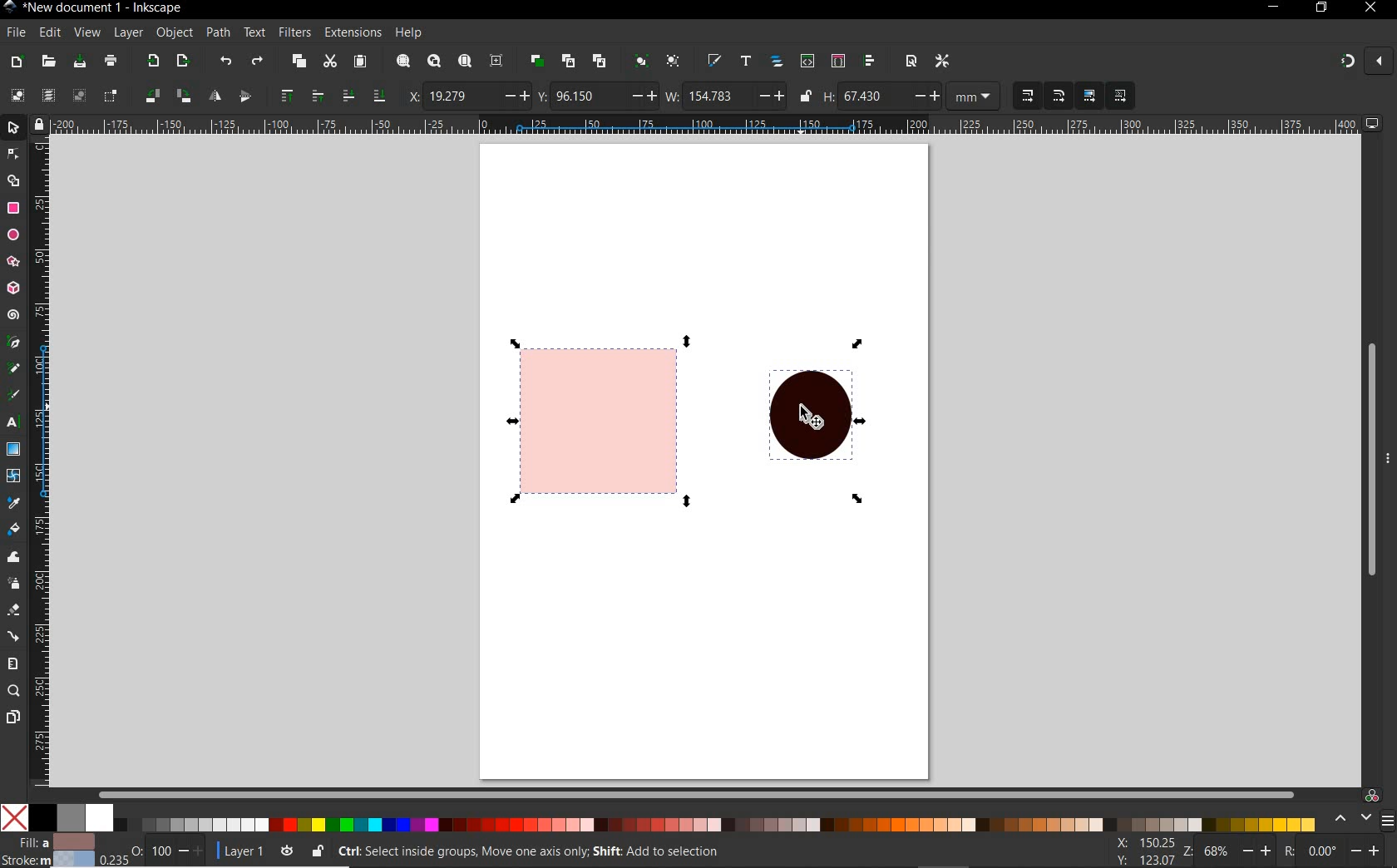 Image resolution: width=1397 pixels, height=868 pixels. Describe the element at coordinates (12, 559) in the screenshot. I see `tweak tool` at that location.